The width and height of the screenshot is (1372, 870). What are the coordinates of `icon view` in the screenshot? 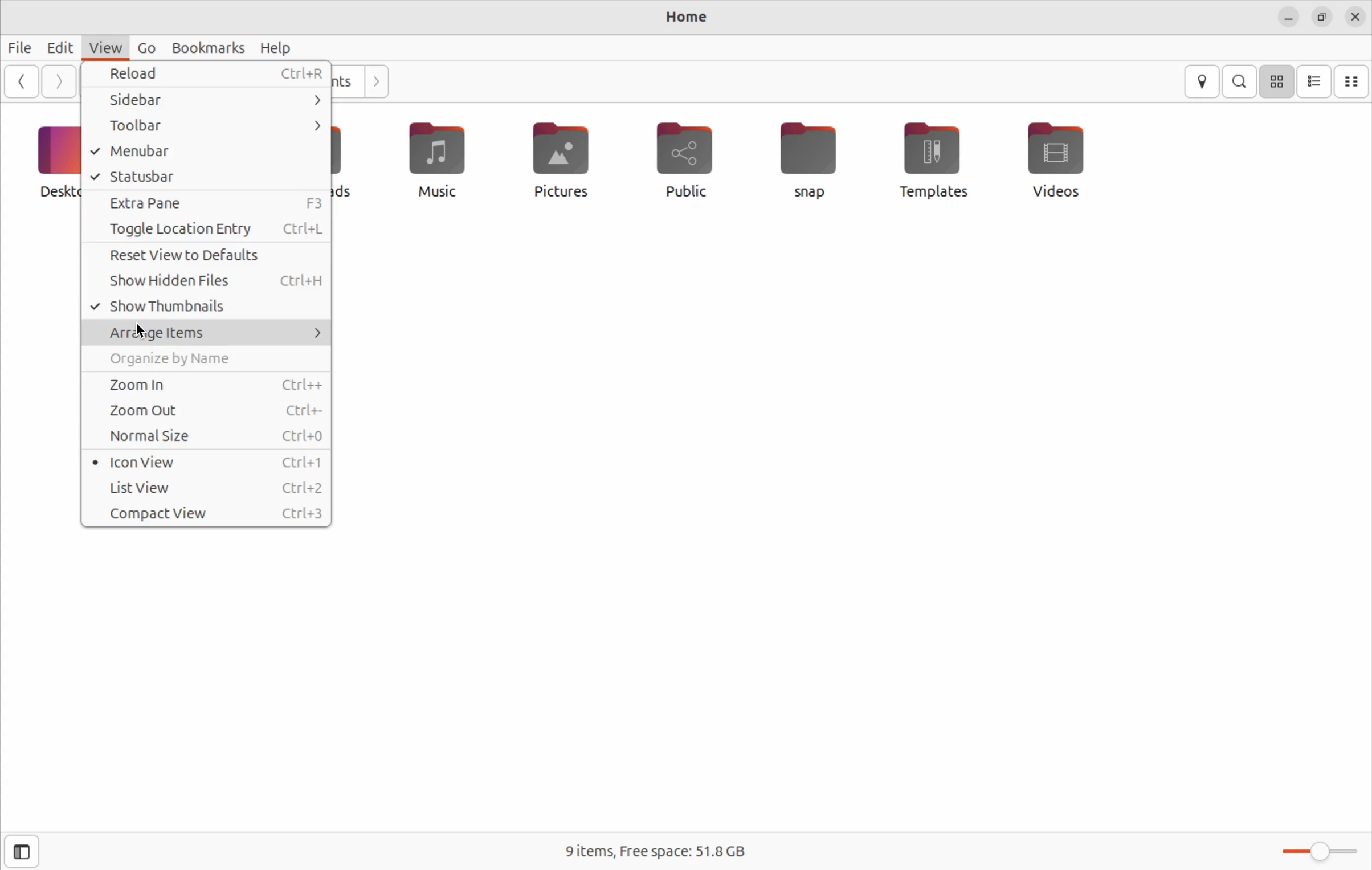 It's located at (207, 463).